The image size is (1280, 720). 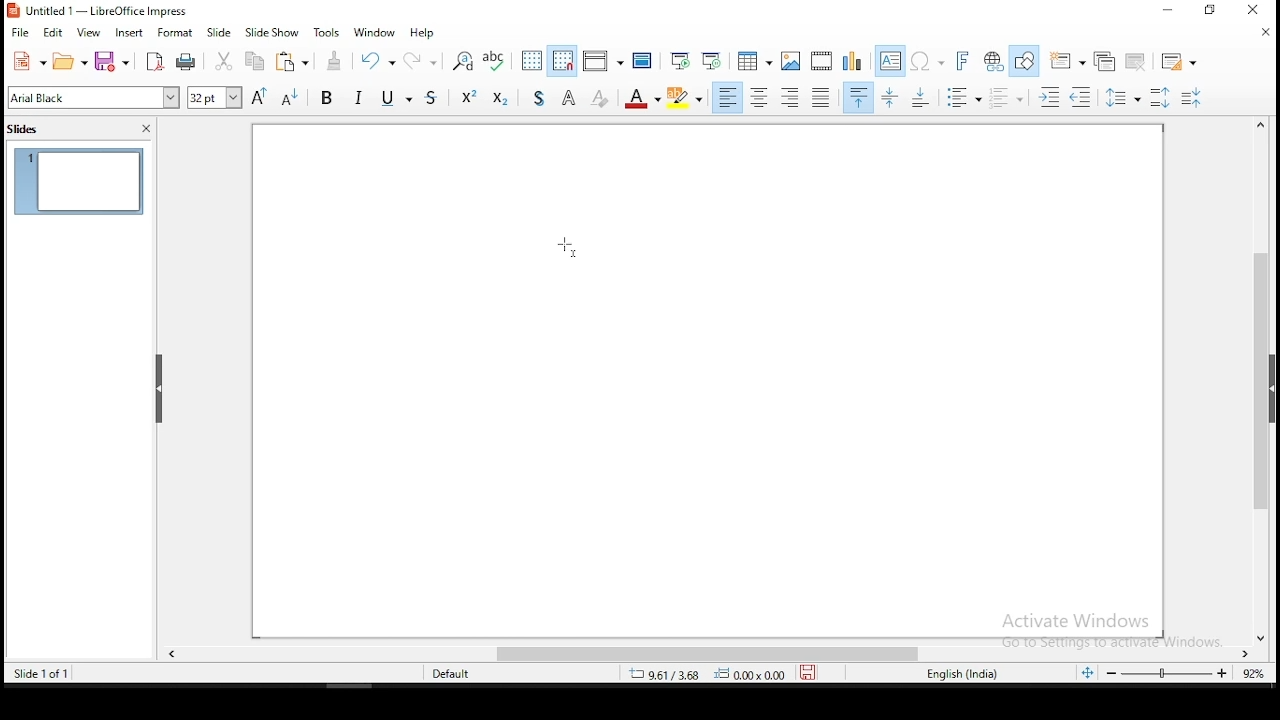 I want to click on delete slide, so click(x=1137, y=61).